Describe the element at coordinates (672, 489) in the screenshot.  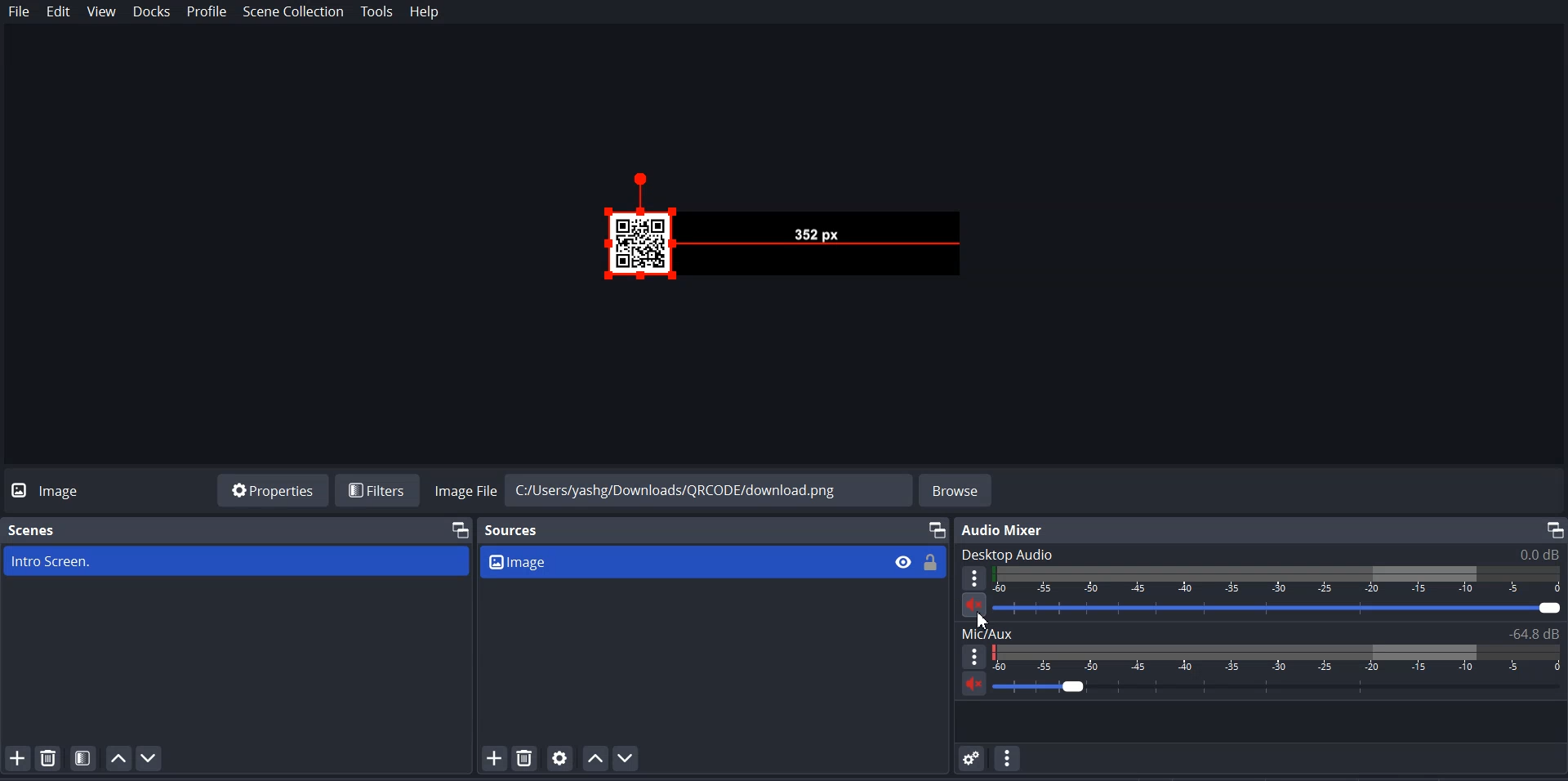
I see `File Path address` at that location.